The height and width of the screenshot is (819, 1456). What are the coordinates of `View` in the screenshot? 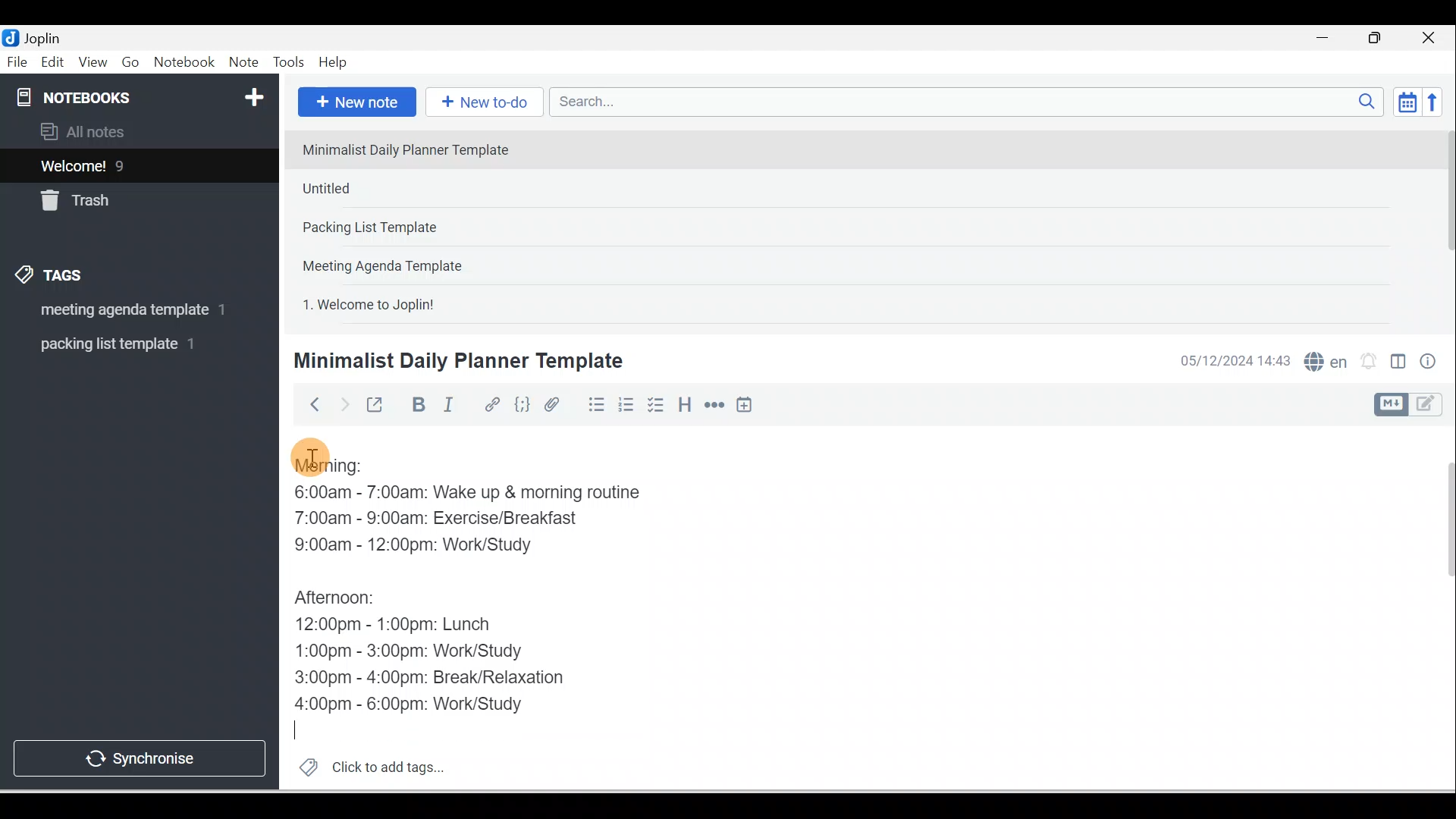 It's located at (93, 63).